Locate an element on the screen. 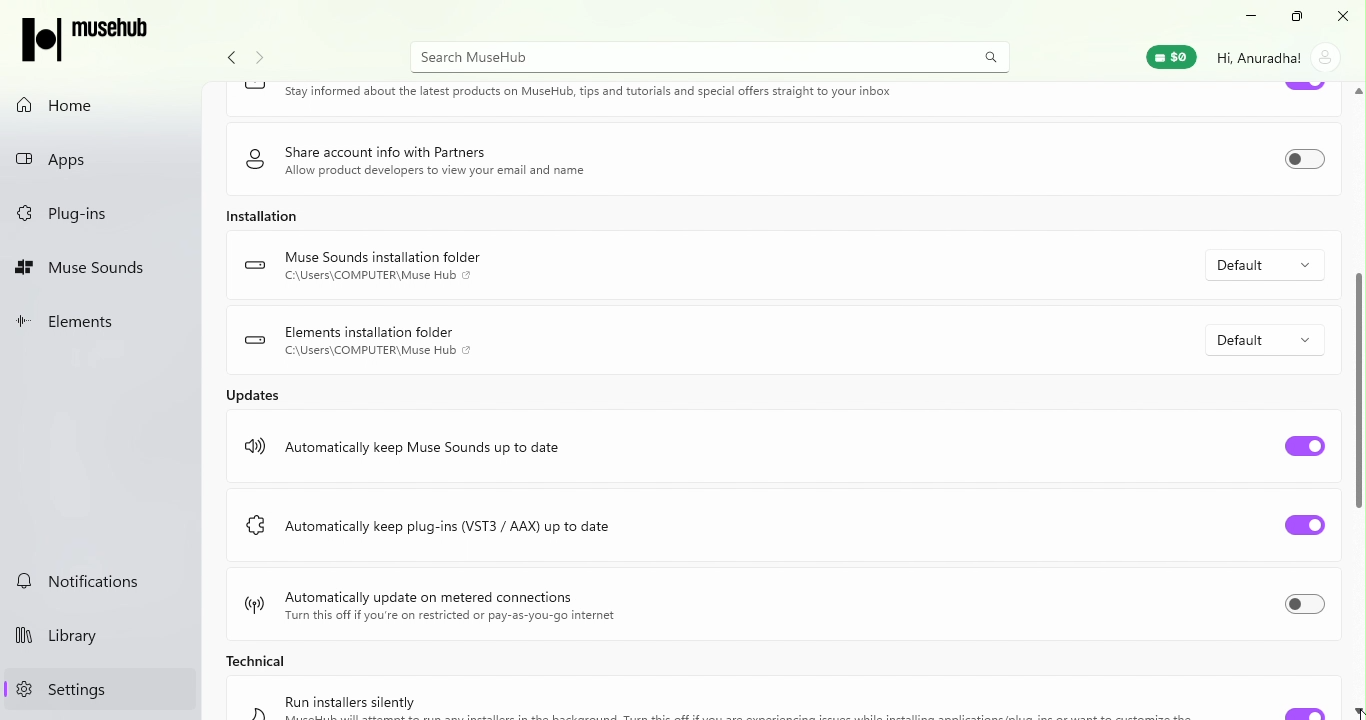  Toggle is located at coordinates (1304, 160).